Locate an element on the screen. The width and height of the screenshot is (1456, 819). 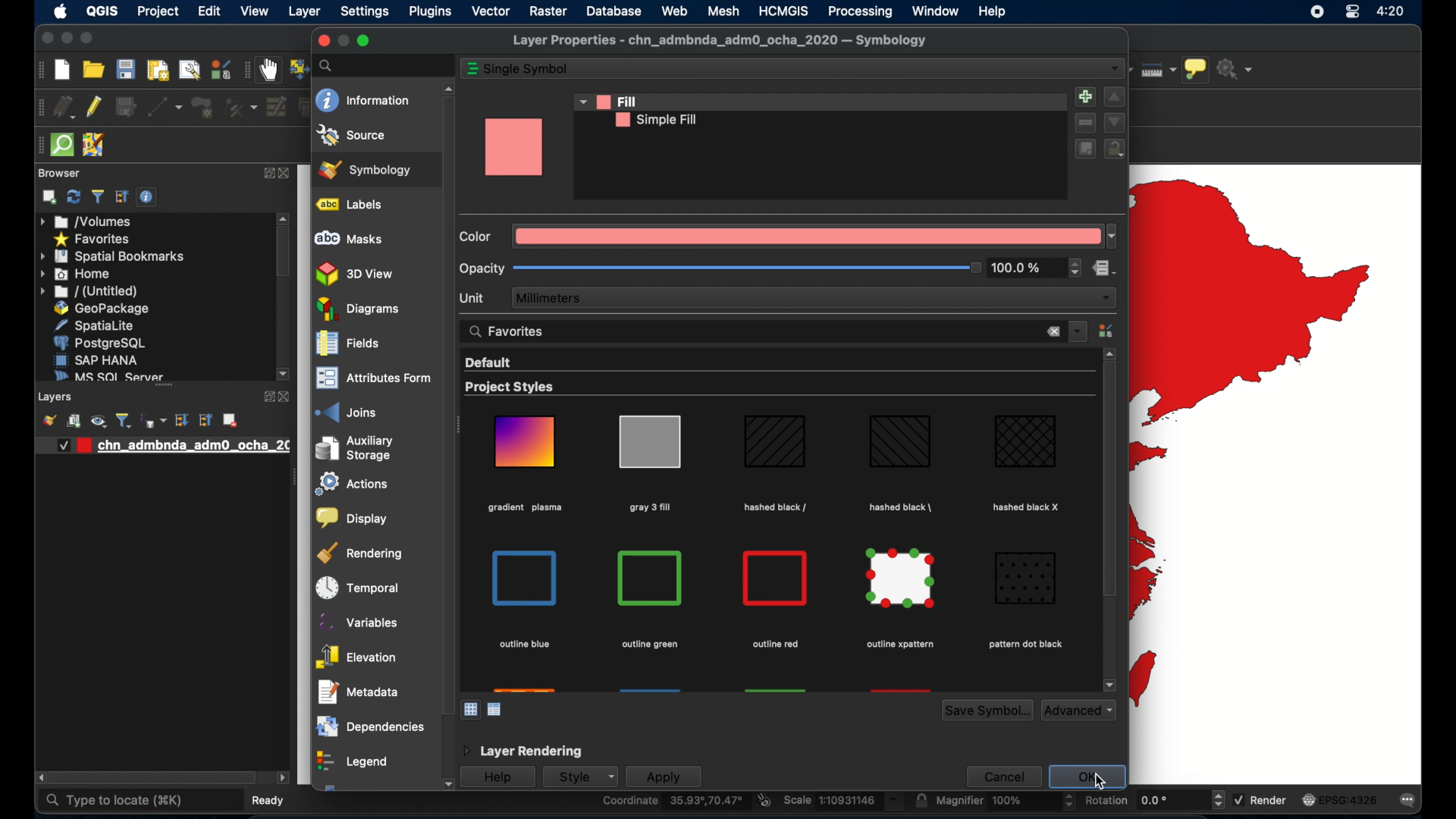
single symbol is located at coordinates (529, 69).